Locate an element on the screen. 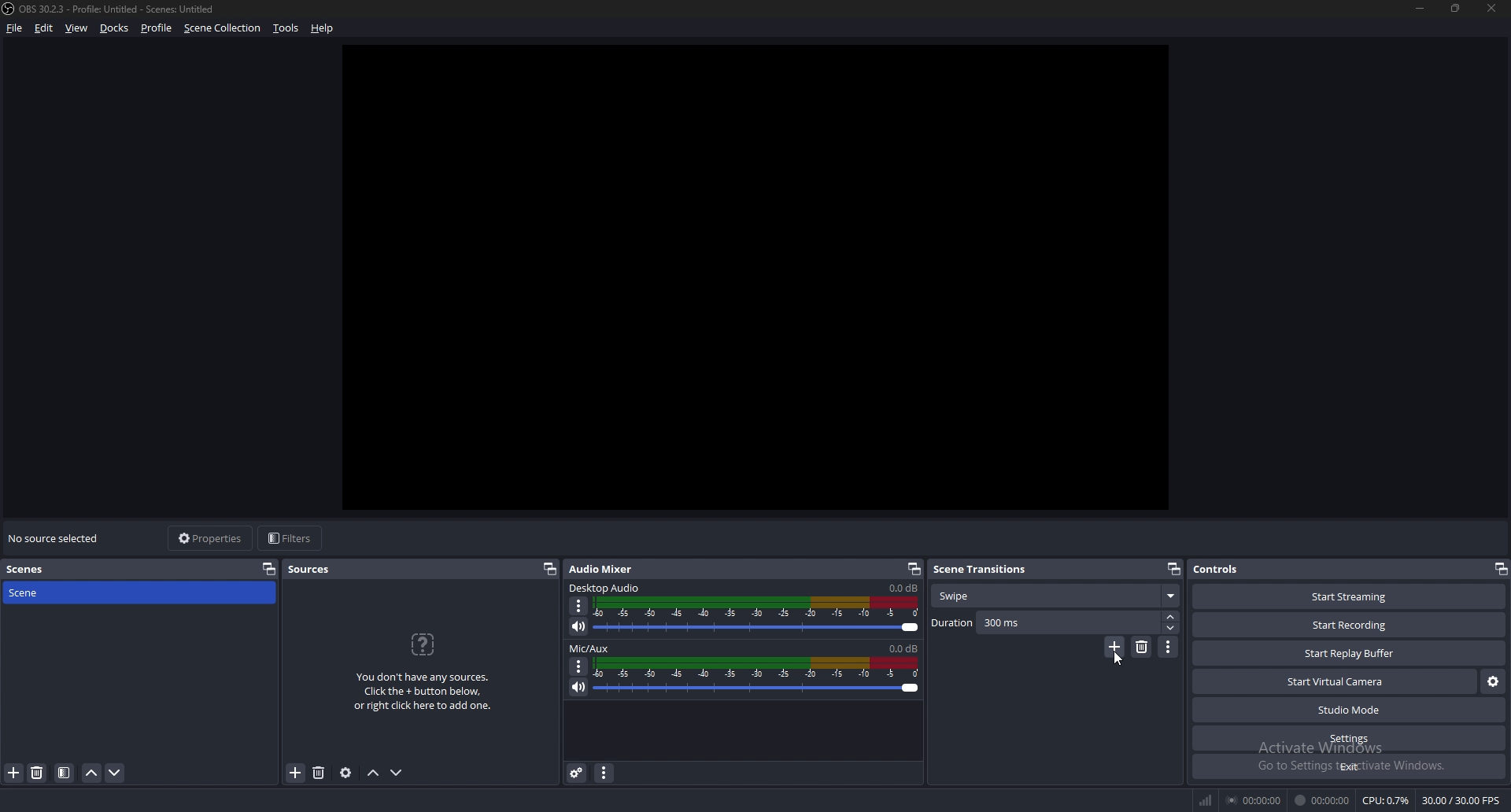 The image size is (1511, 812). filters is located at coordinates (290, 538).